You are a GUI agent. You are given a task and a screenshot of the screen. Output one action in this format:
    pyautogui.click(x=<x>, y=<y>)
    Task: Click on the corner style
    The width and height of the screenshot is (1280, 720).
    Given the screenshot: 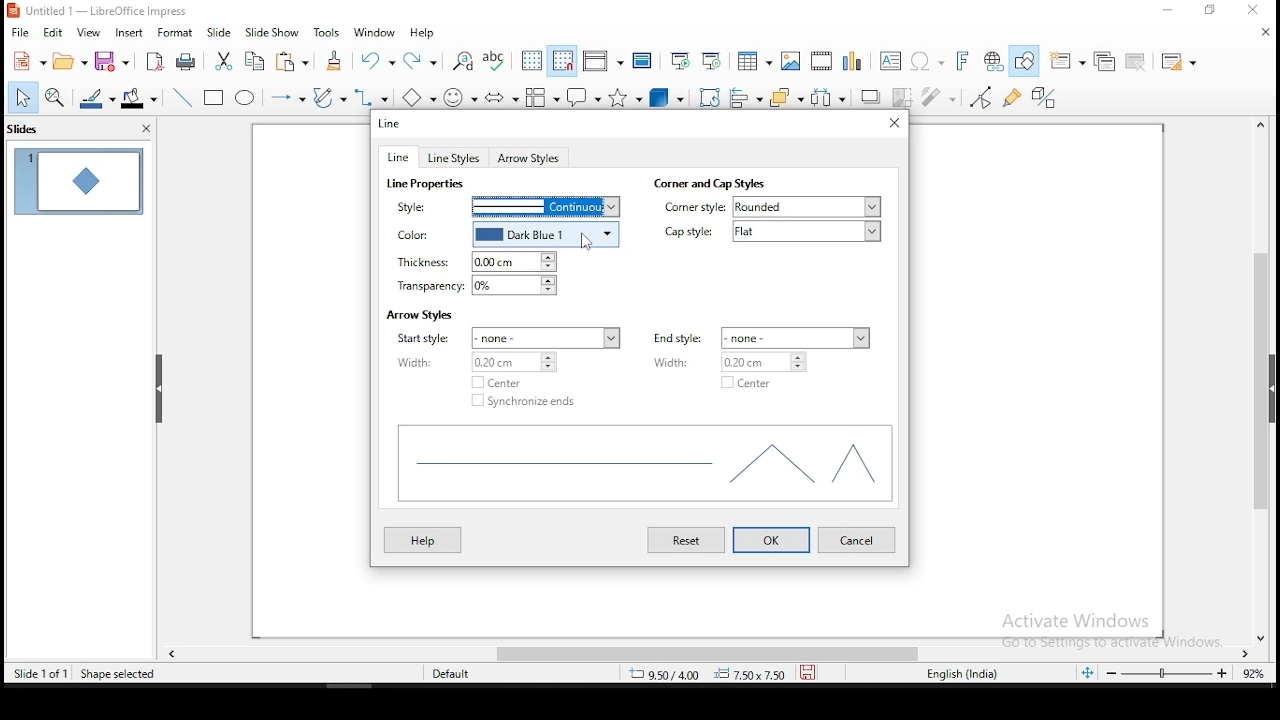 What is the action you would take?
    pyautogui.click(x=694, y=208)
    